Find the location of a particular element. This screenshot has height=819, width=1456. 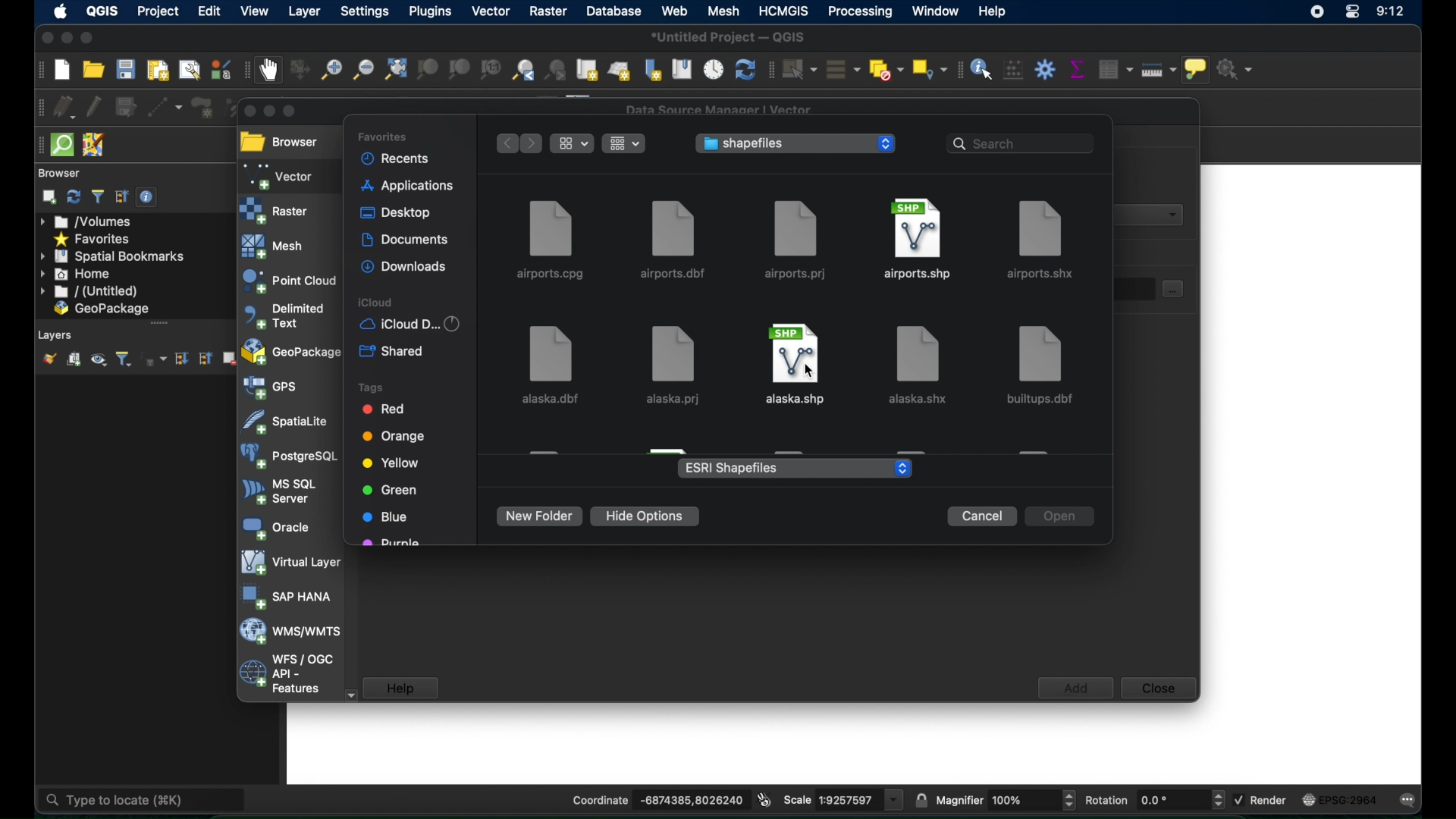

show items as icons, list or gallery is located at coordinates (571, 143).